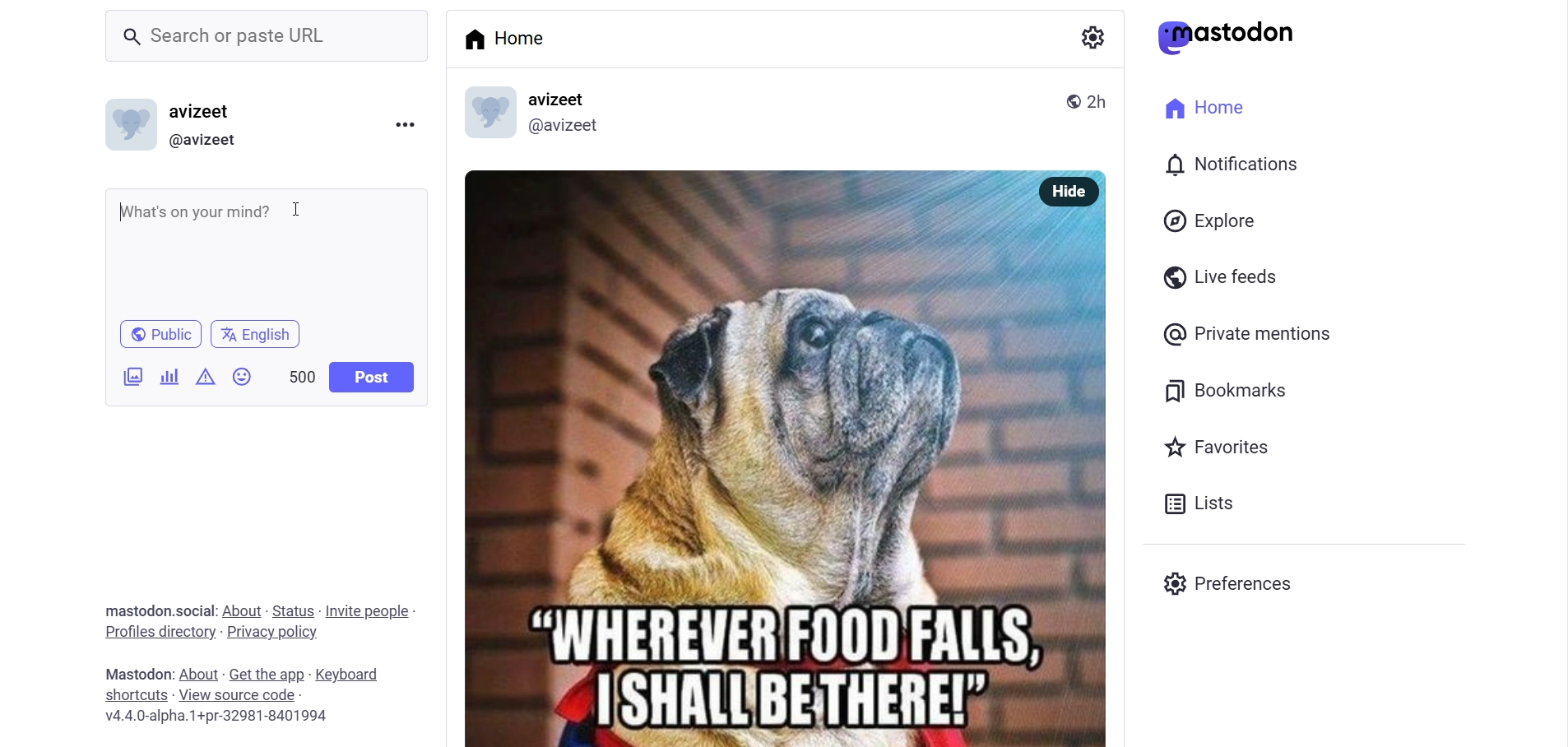 The image size is (1568, 747). What do you see at coordinates (1077, 192) in the screenshot?
I see `Hide ` at bounding box center [1077, 192].